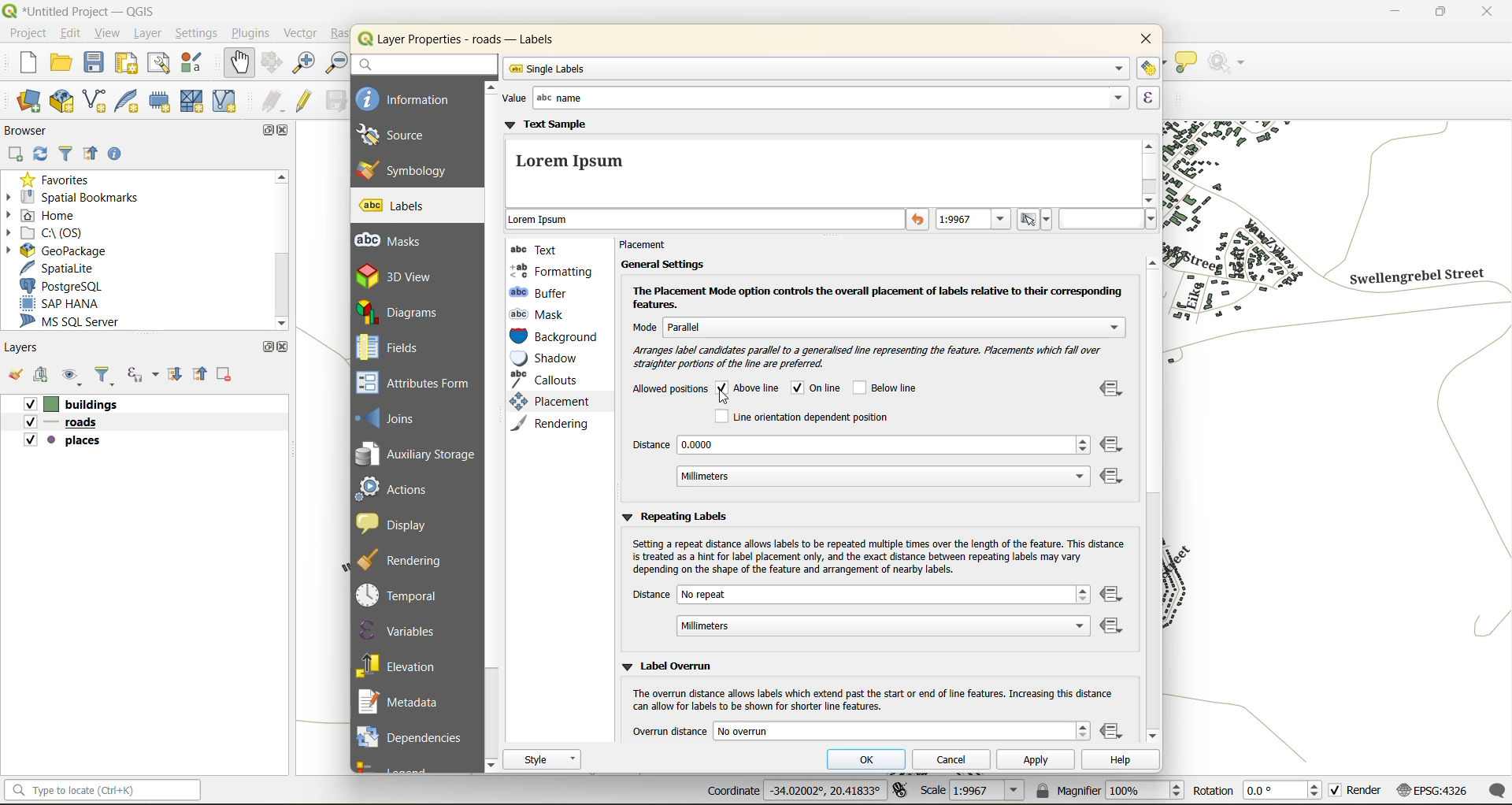 The height and width of the screenshot is (805, 1512). I want to click on data defined override, so click(1114, 612).